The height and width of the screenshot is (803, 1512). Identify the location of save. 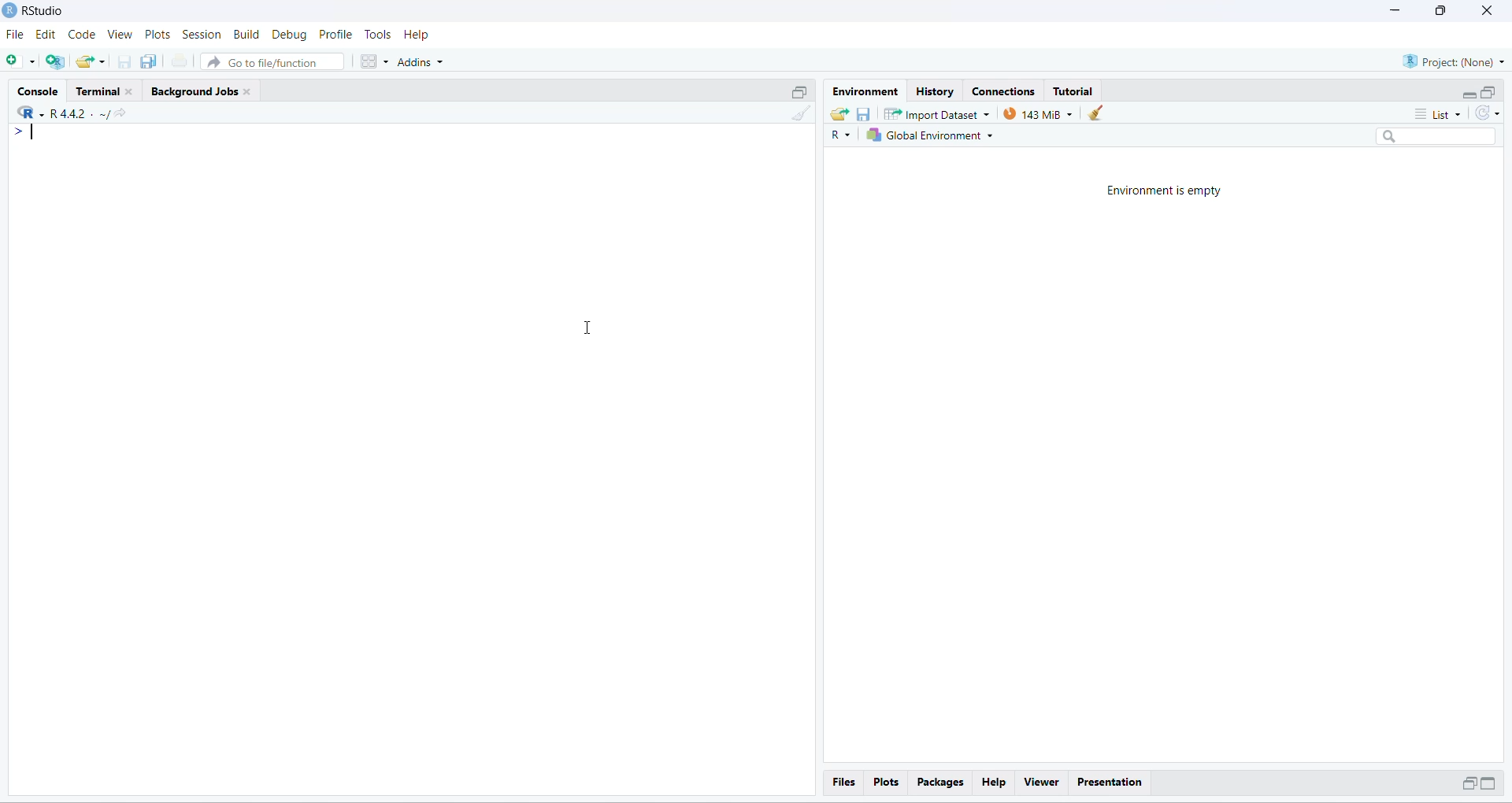
(126, 61).